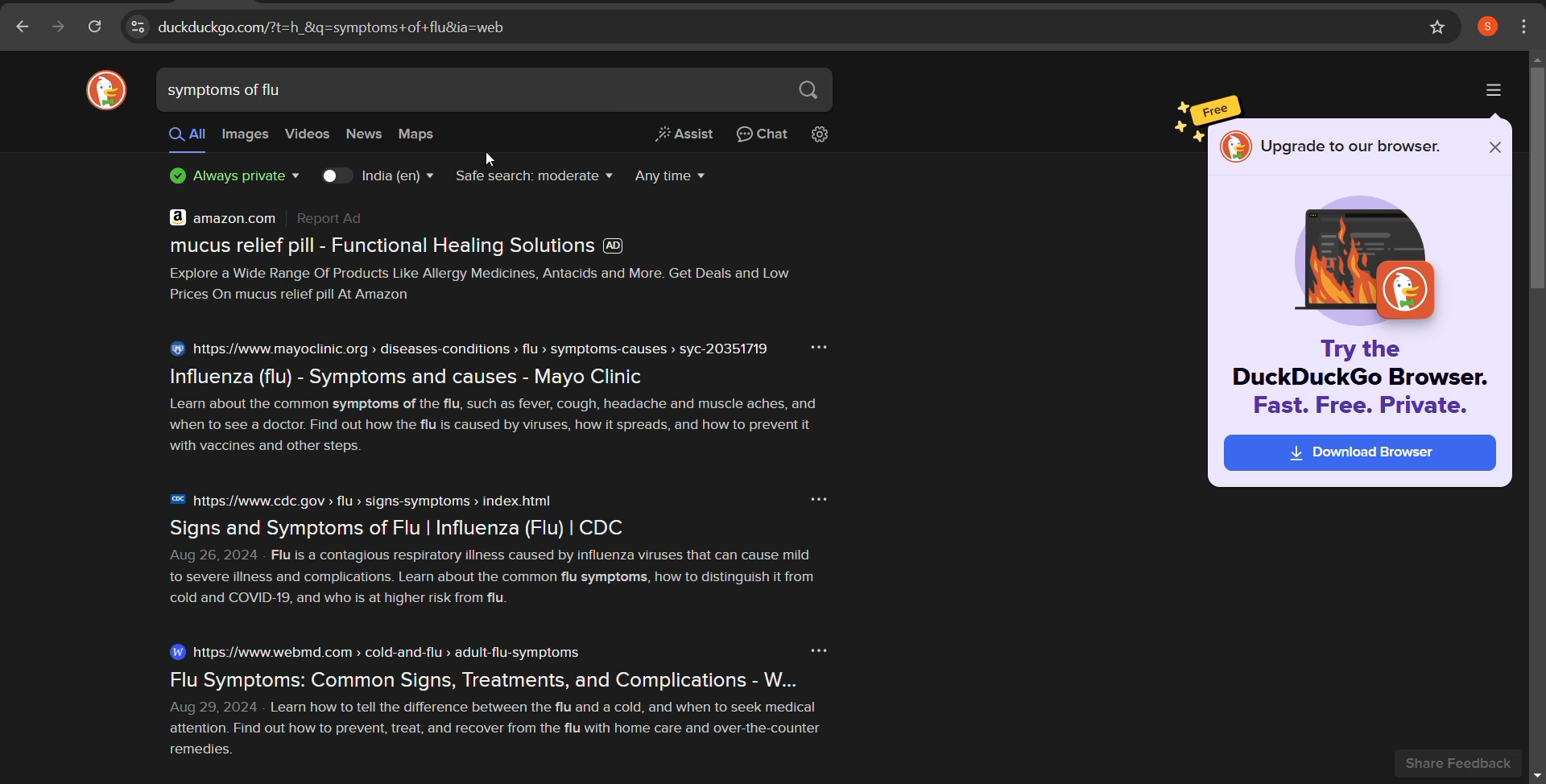 The image size is (1546, 784). I want to click on click to go forward, so click(57, 29).